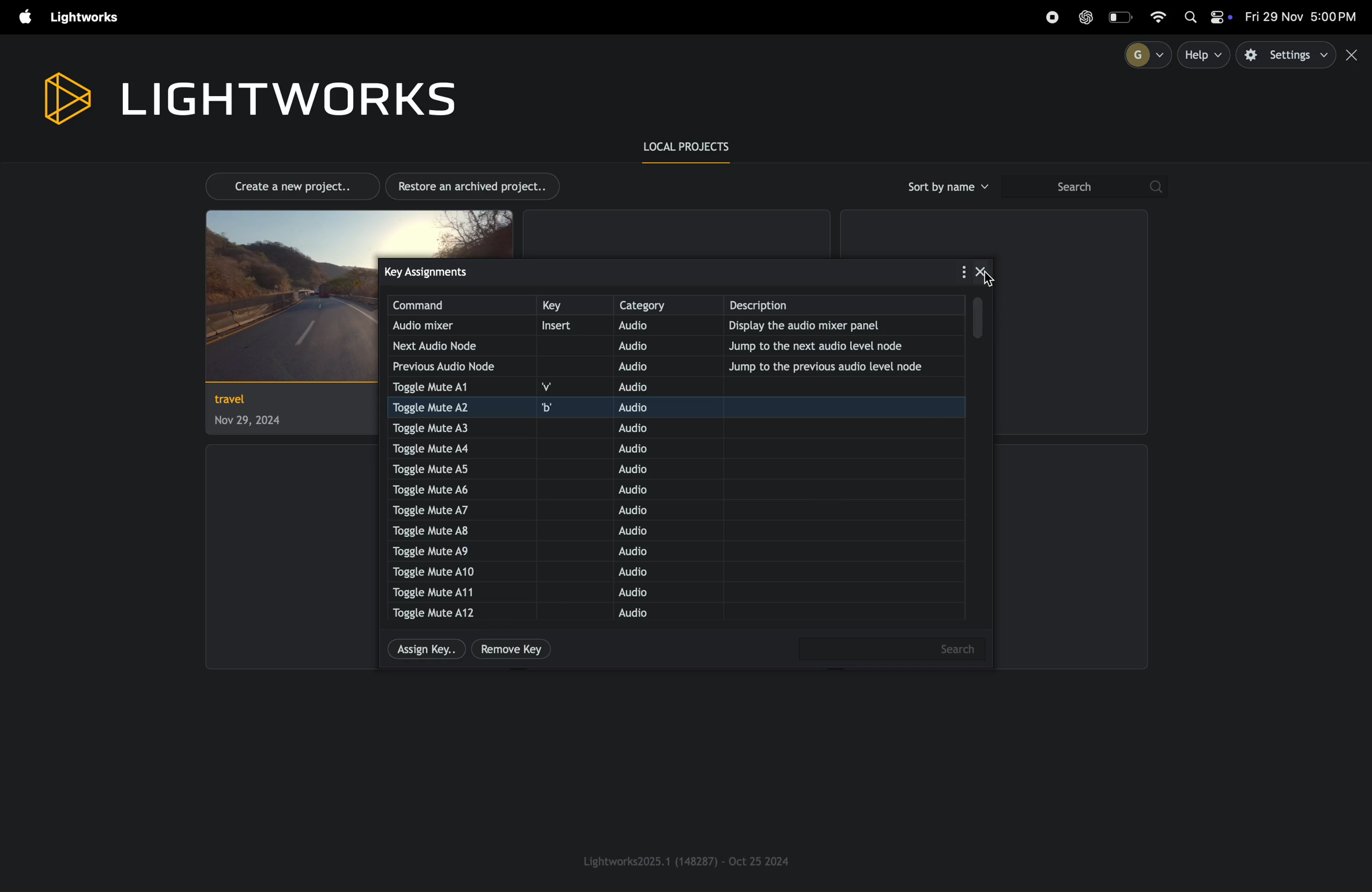 This screenshot has width=1372, height=892. What do you see at coordinates (695, 148) in the screenshot?
I see `local prroject` at bounding box center [695, 148].